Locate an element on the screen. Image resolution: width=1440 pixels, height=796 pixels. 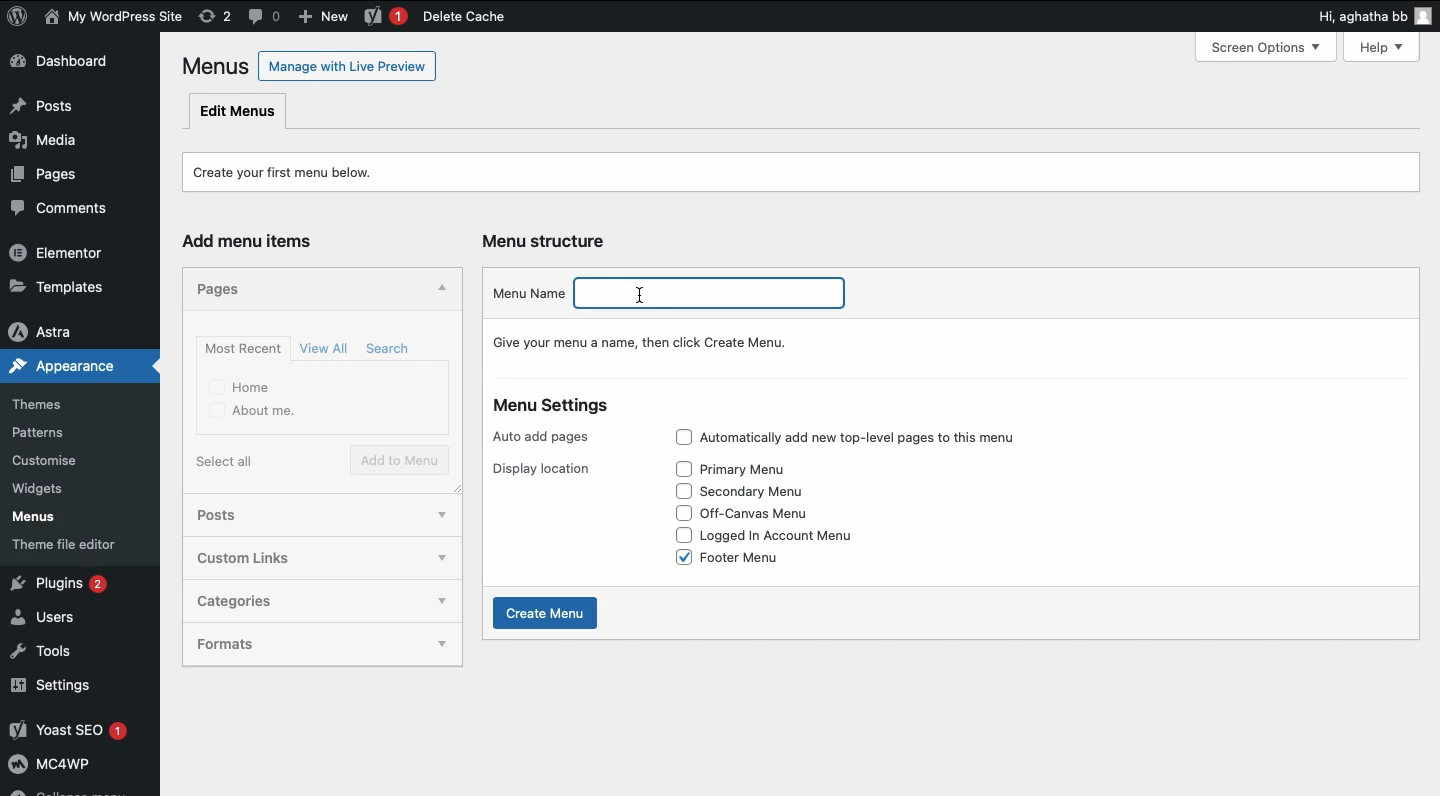
Categories is located at coordinates (291, 602).